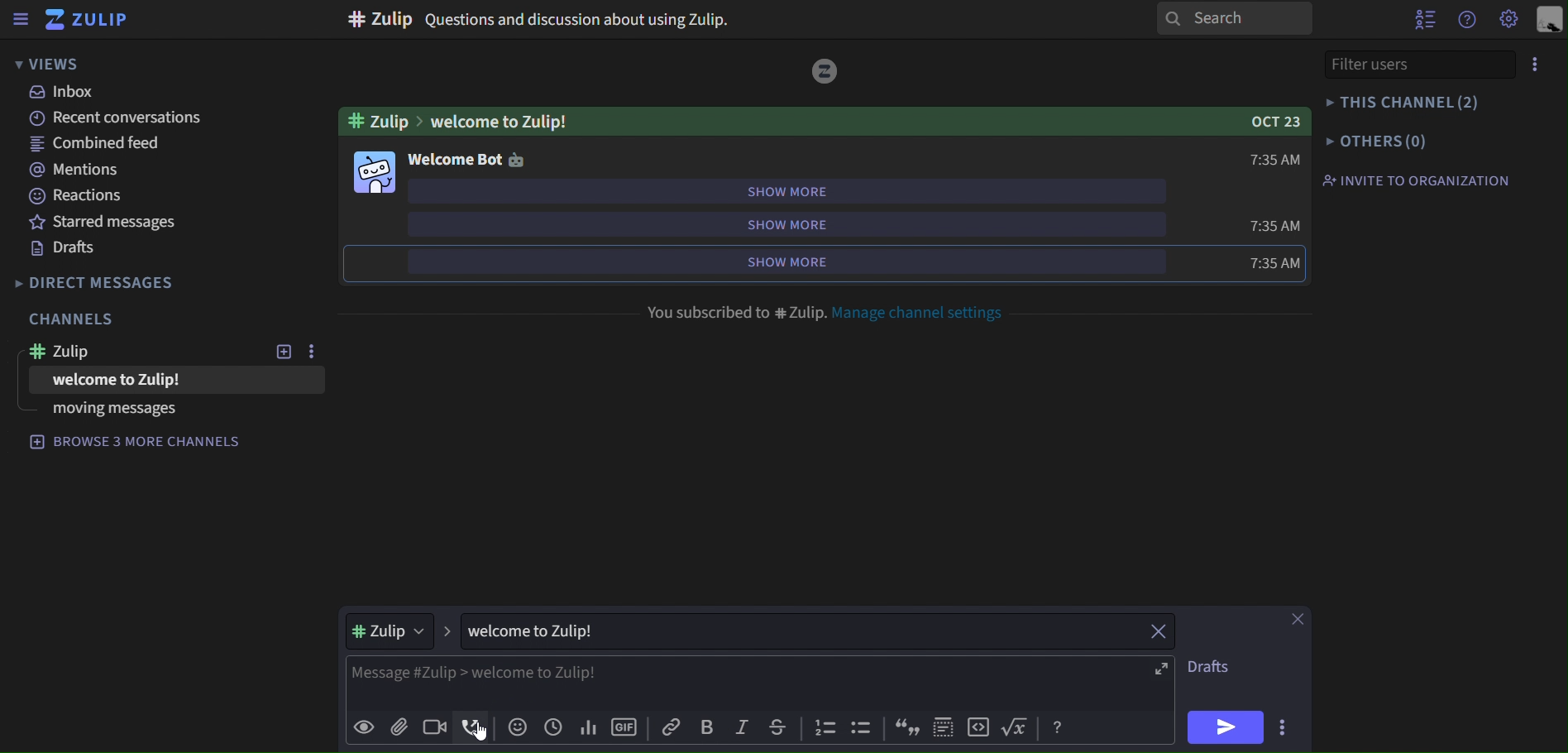 This screenshot has height=753, width=1568. Describe the element at coordinates (375, 174) in the screenshot. I see ` bot image` at that location.